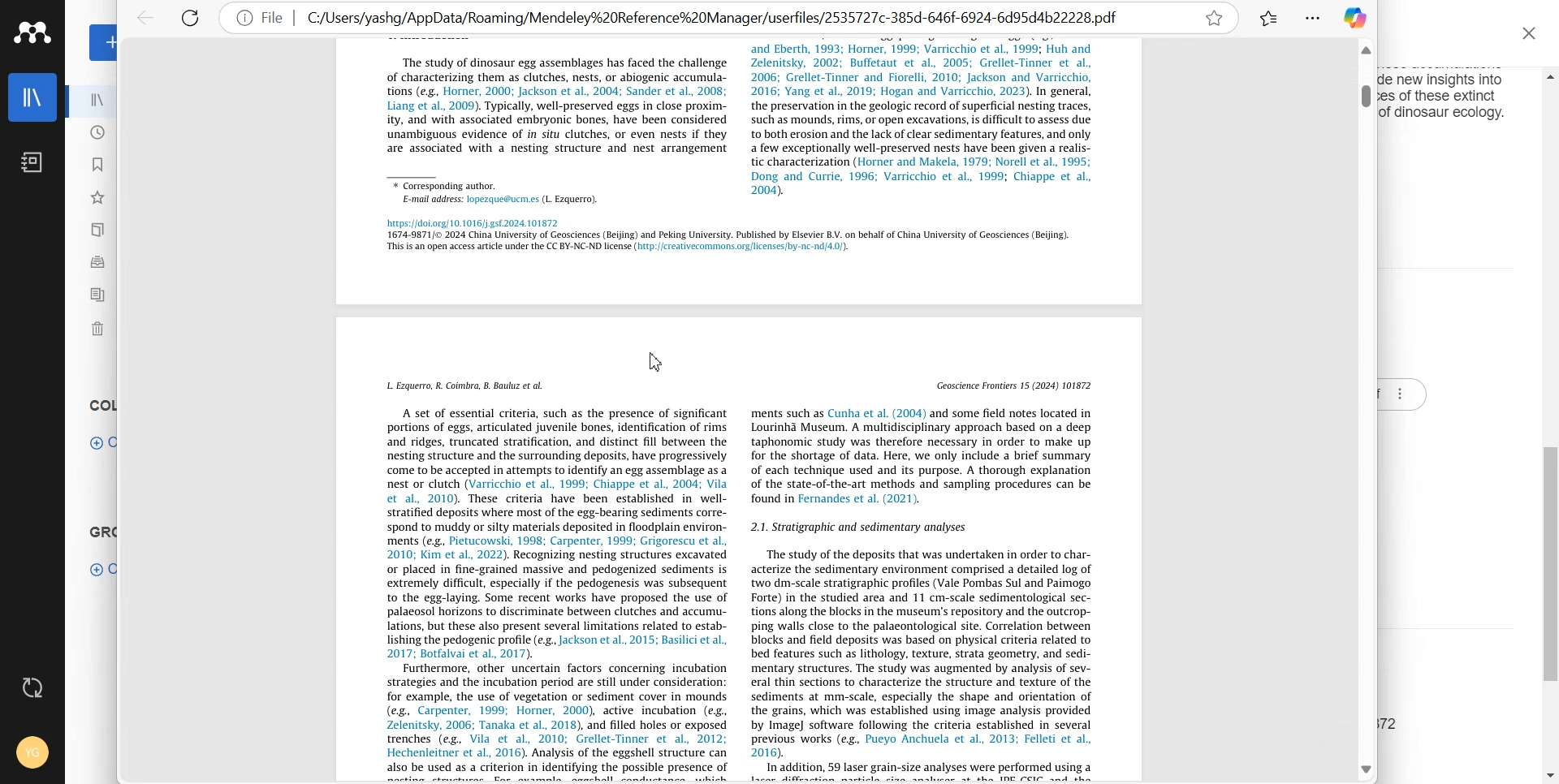 The width and height of the screenshot is (1559, 784). Describe the element at coordinates (1357, 19) in the screenshot. I see `Copilot` at that location.